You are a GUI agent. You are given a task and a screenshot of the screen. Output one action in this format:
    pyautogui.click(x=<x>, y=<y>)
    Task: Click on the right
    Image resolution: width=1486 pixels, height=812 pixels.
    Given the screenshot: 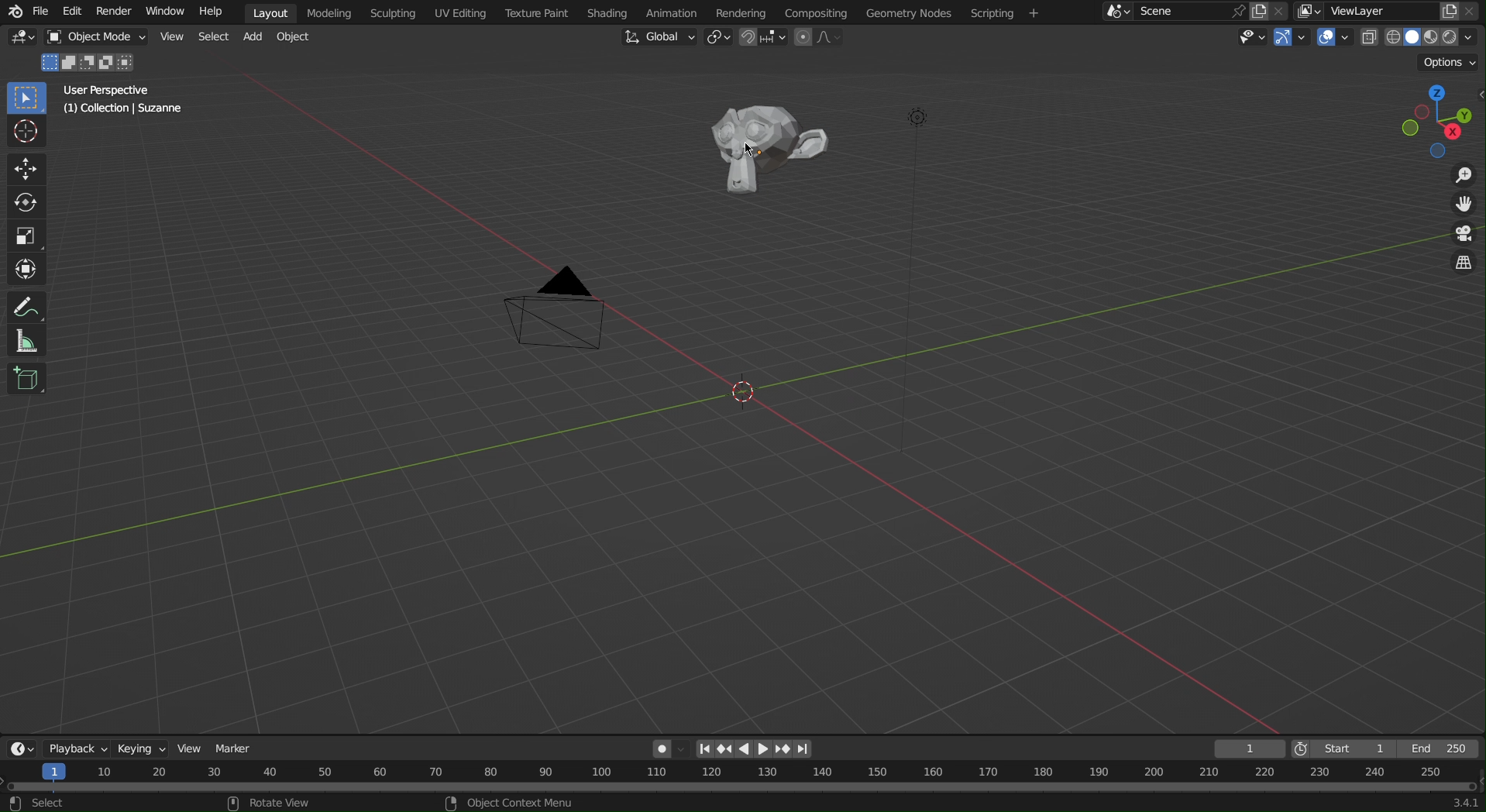 What is the action you would take?
    pyautogui.click(x=765, y=747)
    